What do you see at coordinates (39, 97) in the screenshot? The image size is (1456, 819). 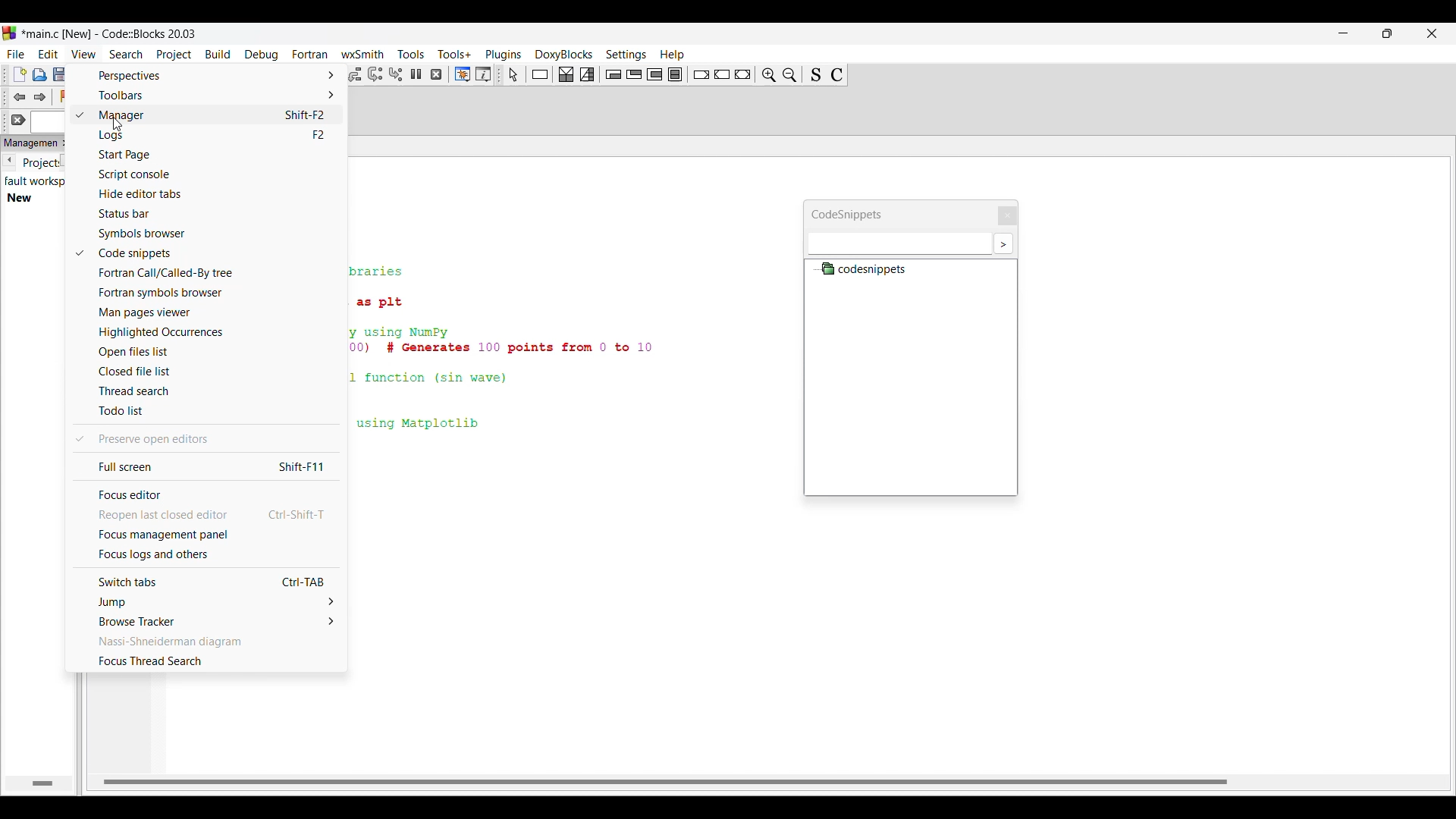 I see `Toggle forward` at bounding box center [39, 97].